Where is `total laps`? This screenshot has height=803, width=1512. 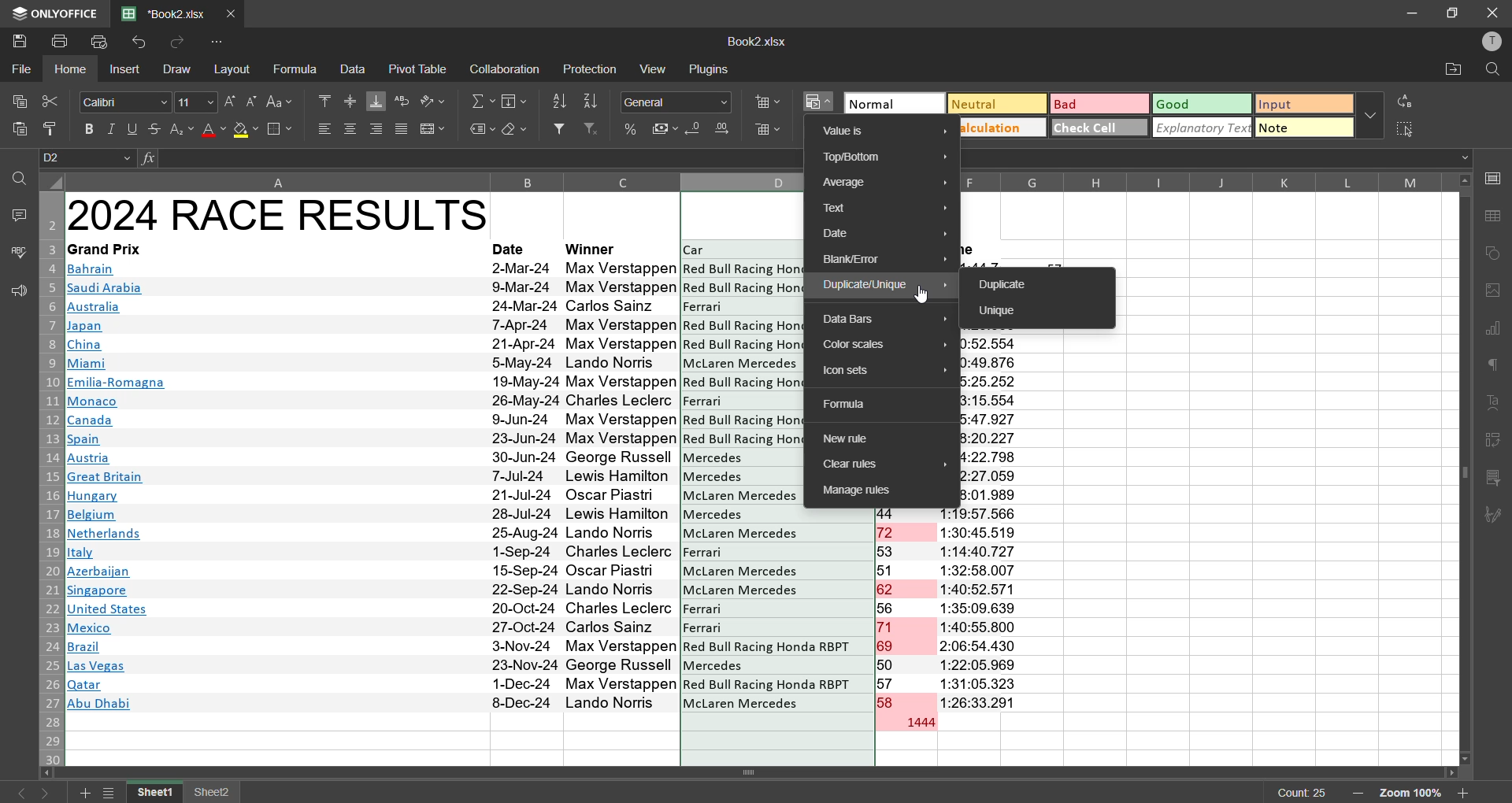 total laps is located at coordinates (918, 723).